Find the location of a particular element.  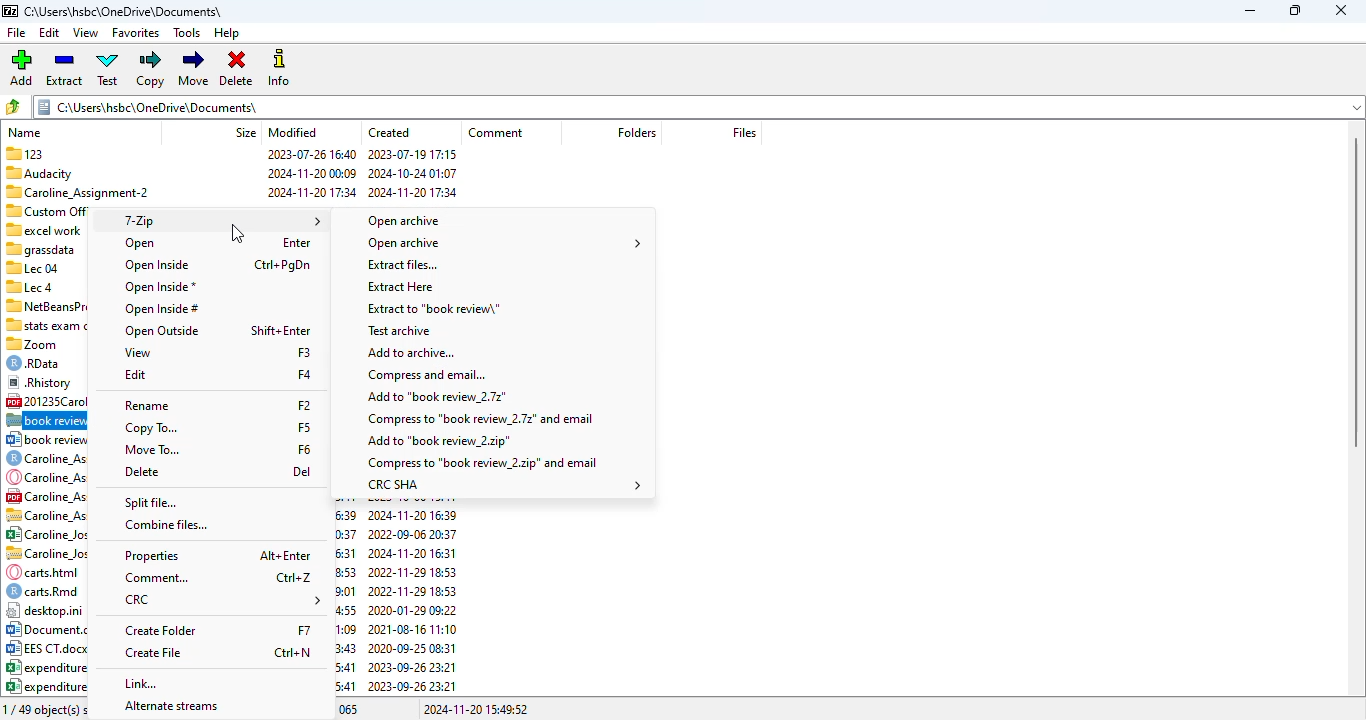

open inside is located at coordinates (156, 265).